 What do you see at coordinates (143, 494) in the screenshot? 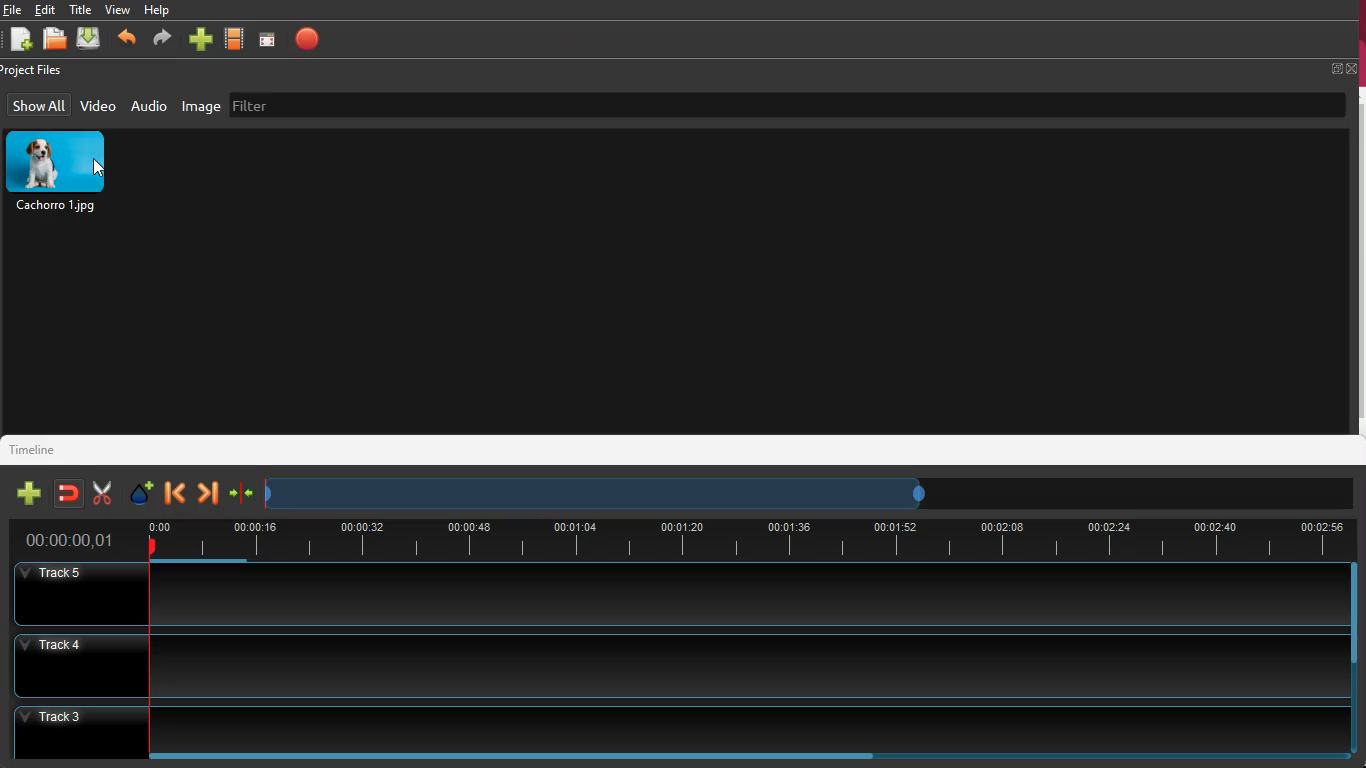
I see `effect` at bounding box center [143, 494].